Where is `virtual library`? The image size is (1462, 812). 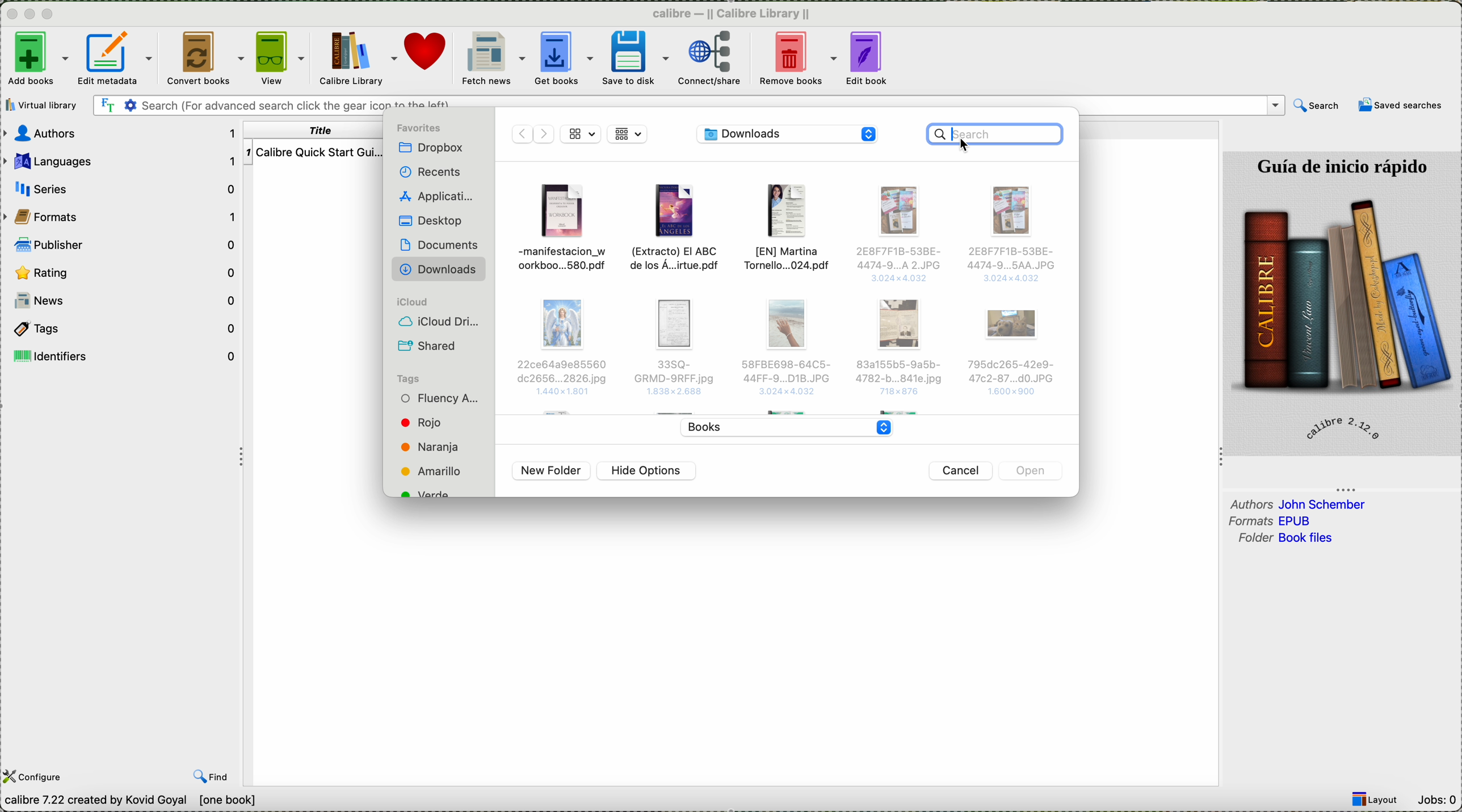
virtual library is located at coordinates (42, 106).